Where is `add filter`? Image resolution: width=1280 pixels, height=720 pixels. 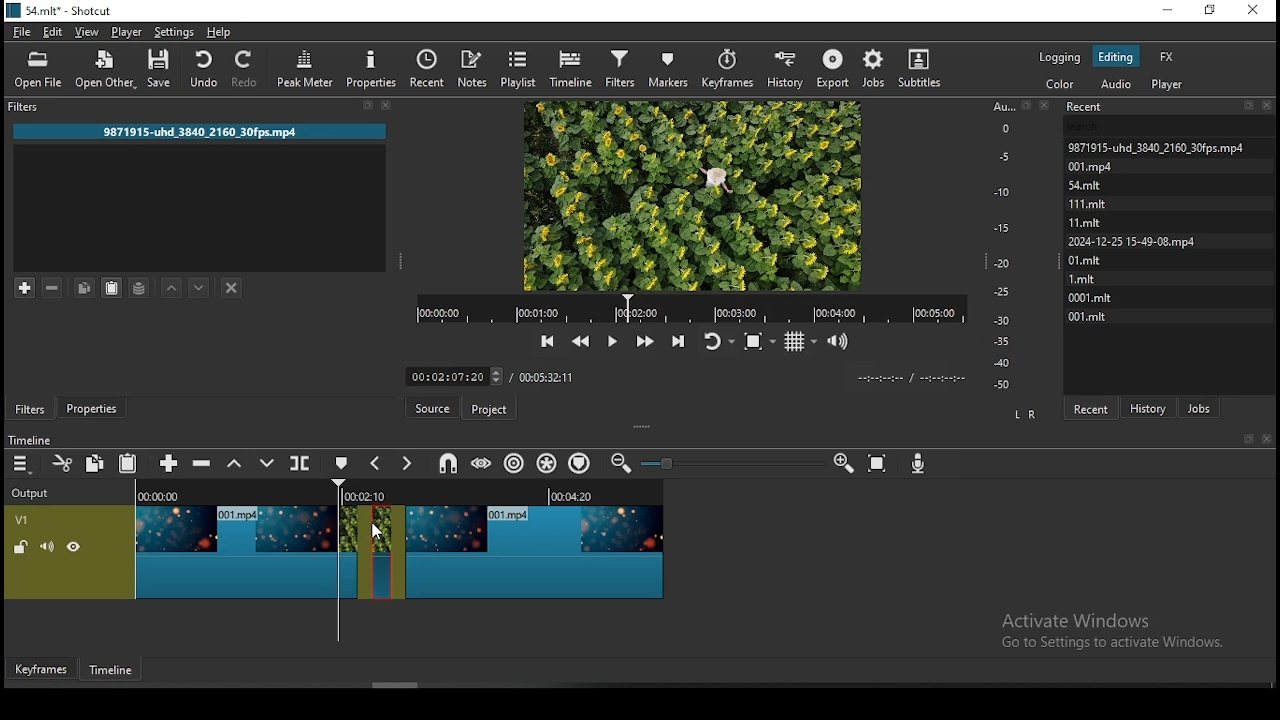 add filter is located at coordinates (25, 287).